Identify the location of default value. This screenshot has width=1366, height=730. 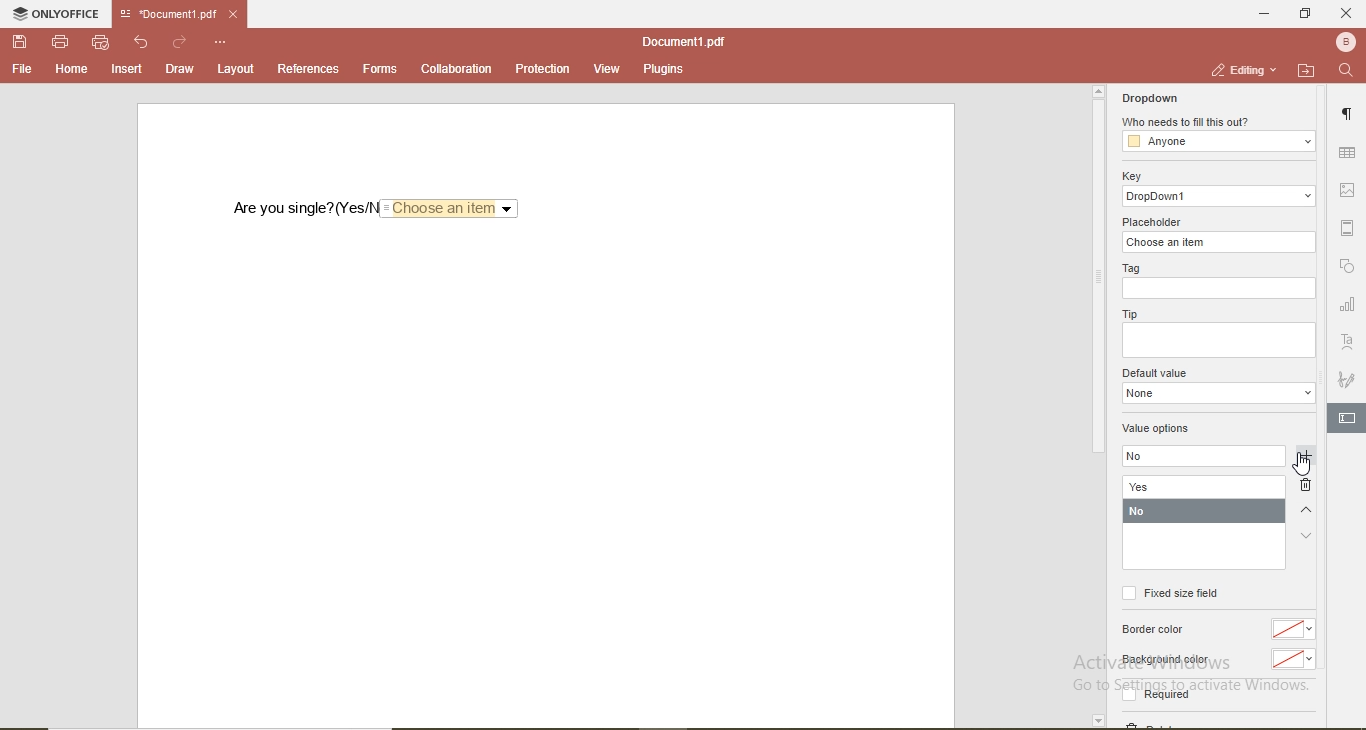
(1157, 372).